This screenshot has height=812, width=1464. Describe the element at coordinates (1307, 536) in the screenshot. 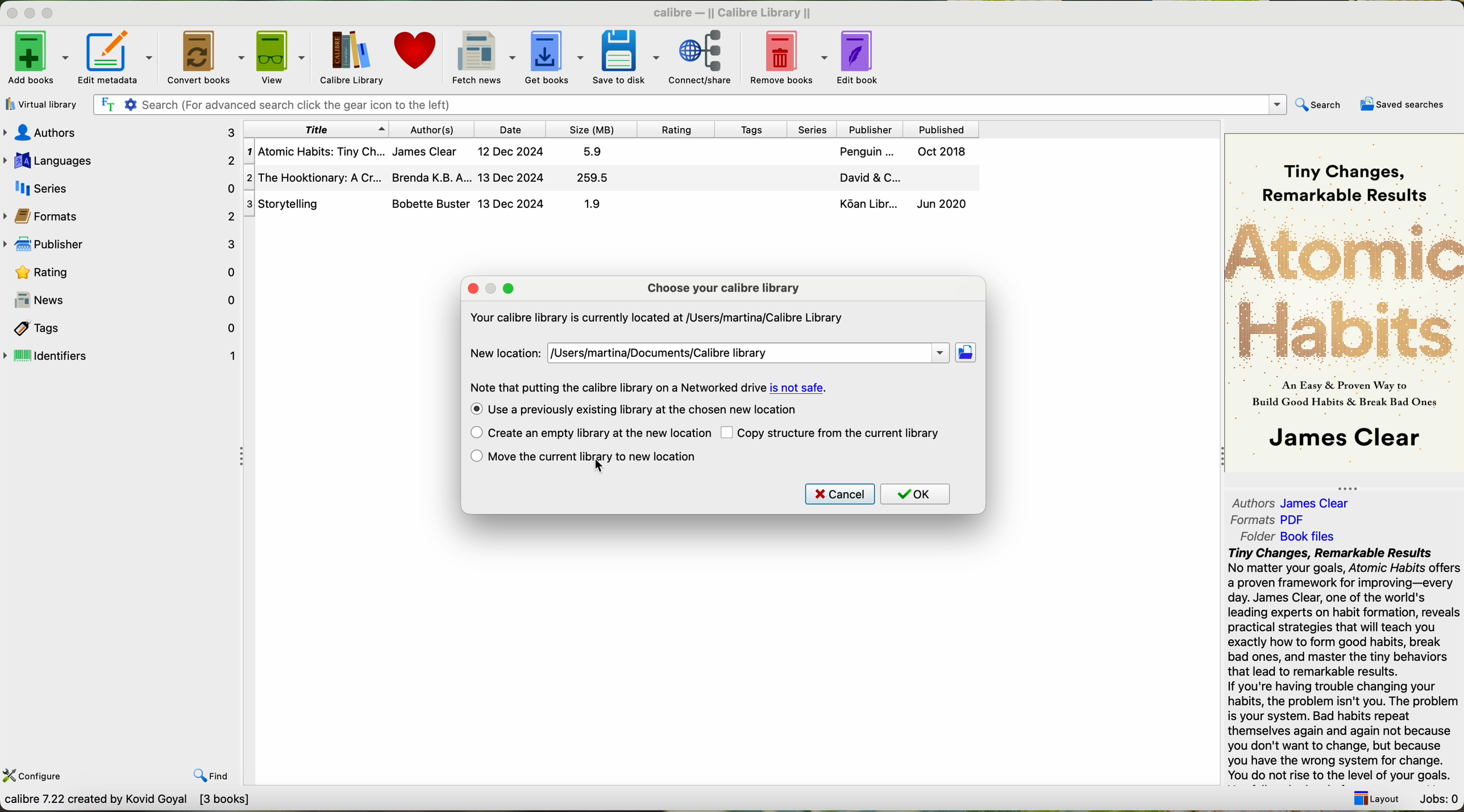

I see `Book file` at that location.